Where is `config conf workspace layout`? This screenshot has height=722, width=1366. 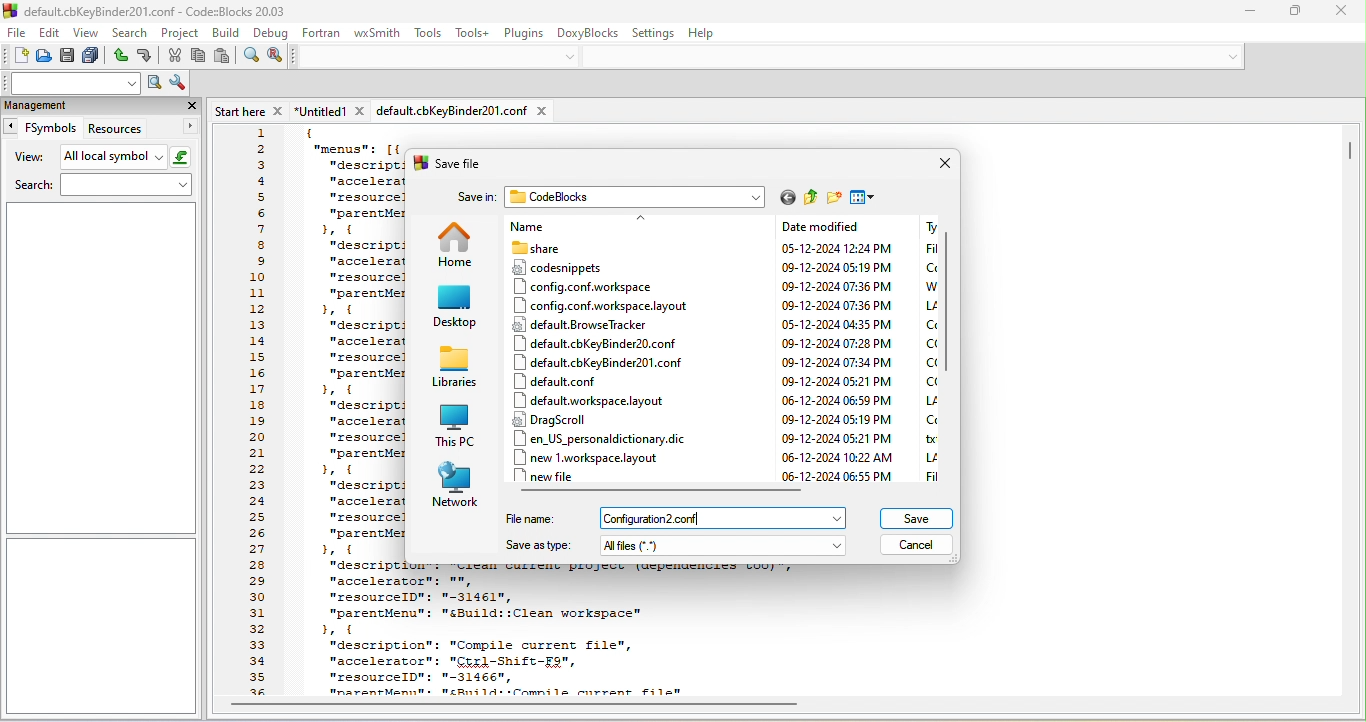
config conf workspace layout is located at coordinates (599, 306).